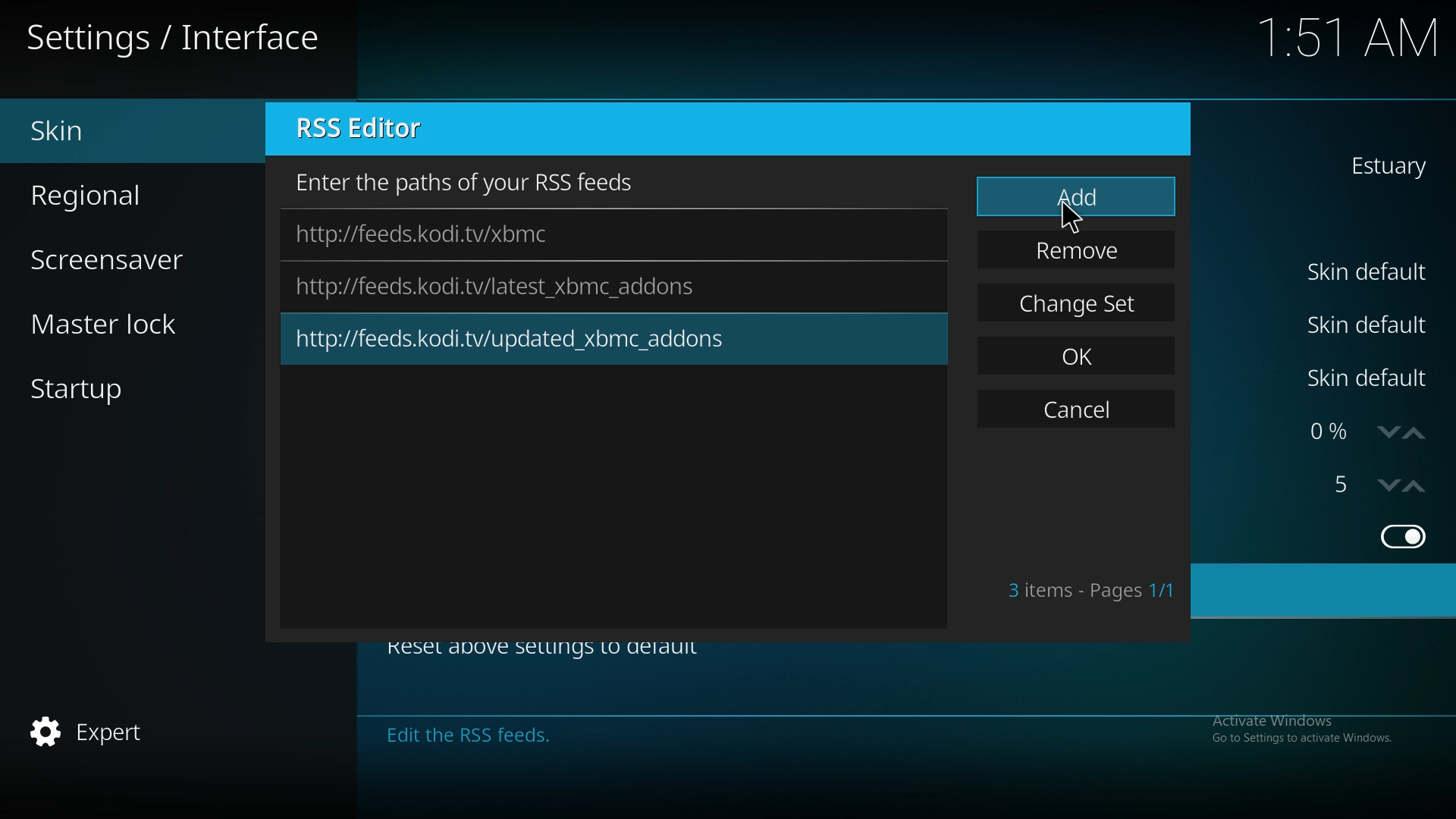 This screenshot has width=1456, height=819. What do you see at coordinates (475, 182) in the screenshot?
I see `enter path` at bounding box center [475, 182].